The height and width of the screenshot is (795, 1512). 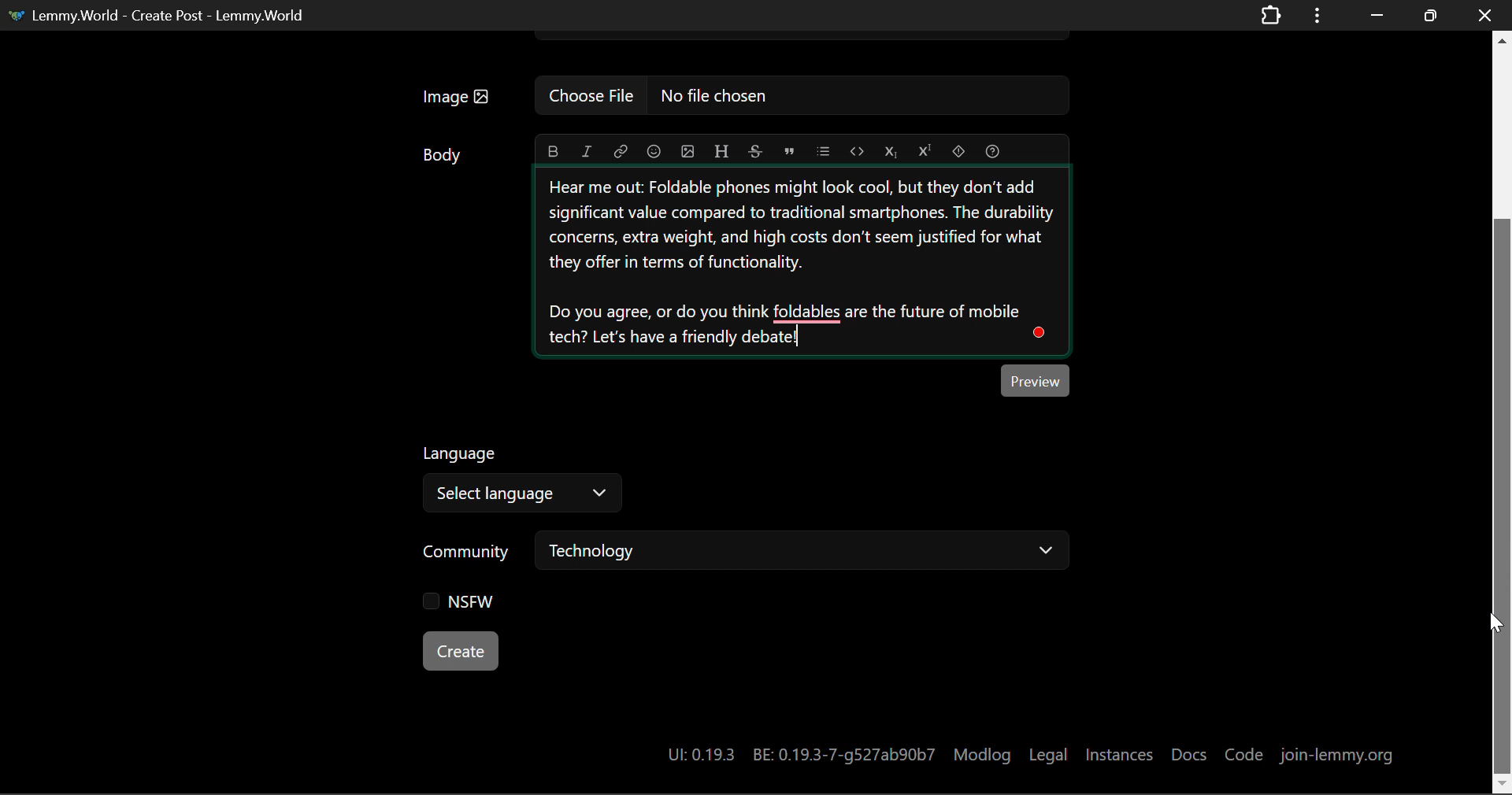 I want to click on code, so click(x=856, y=150).